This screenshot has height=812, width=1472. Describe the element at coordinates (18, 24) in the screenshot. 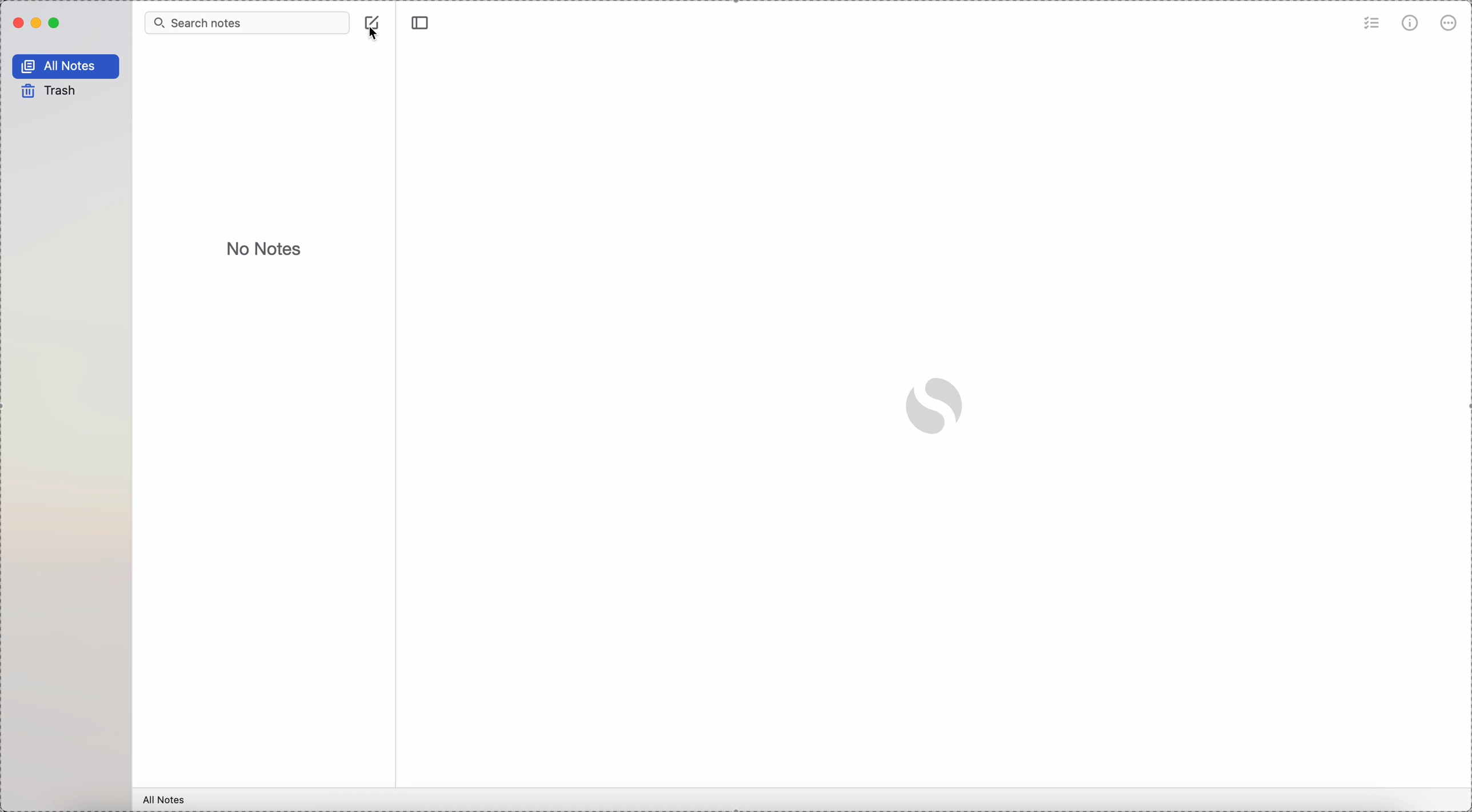

I see `close Simplenote` at that location.